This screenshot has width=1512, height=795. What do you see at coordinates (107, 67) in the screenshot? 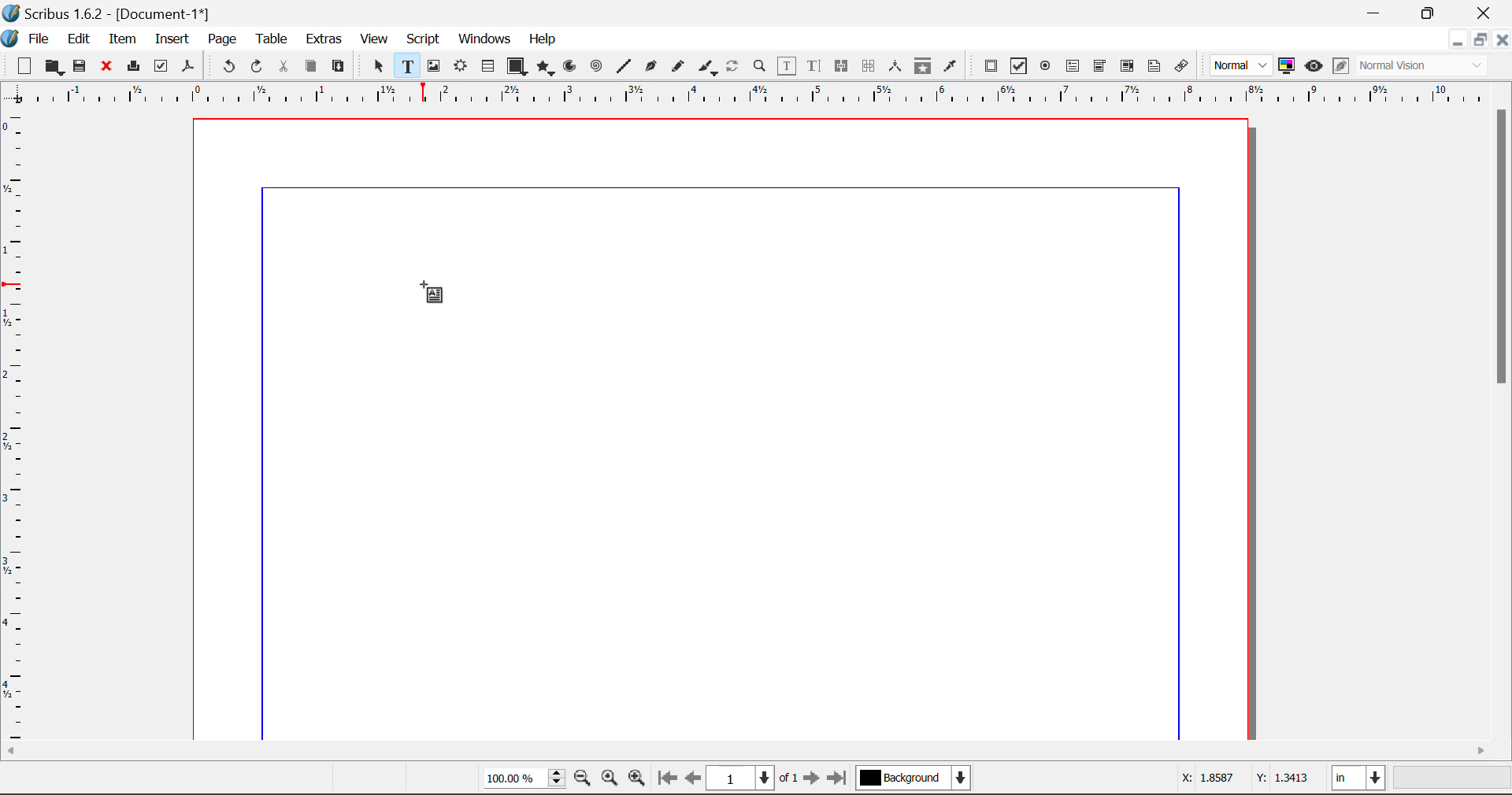
I see `Discard` at bounding box center [107, 67].